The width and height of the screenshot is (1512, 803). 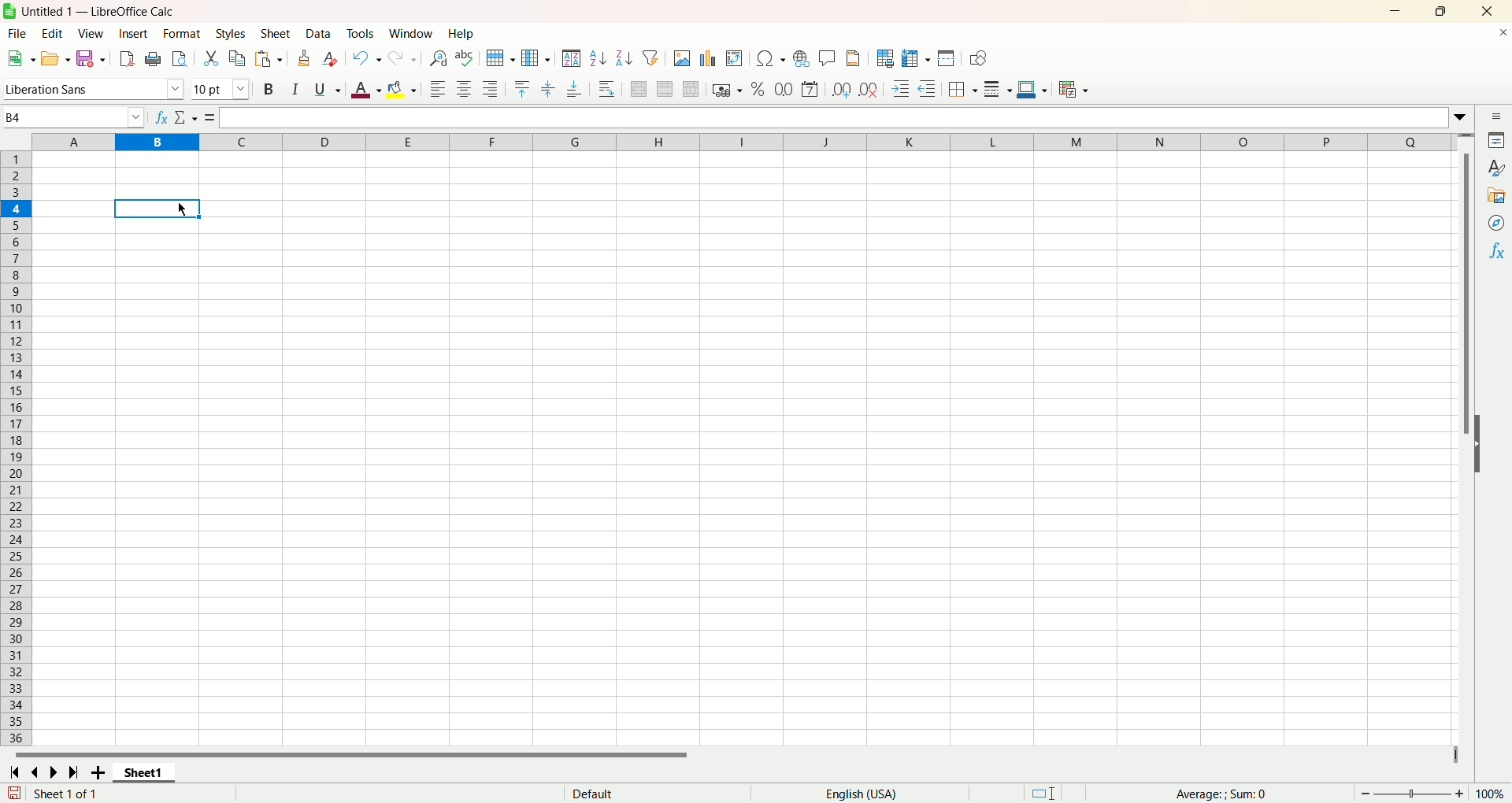 I want to click on draw function, so click(x=979, y=60).